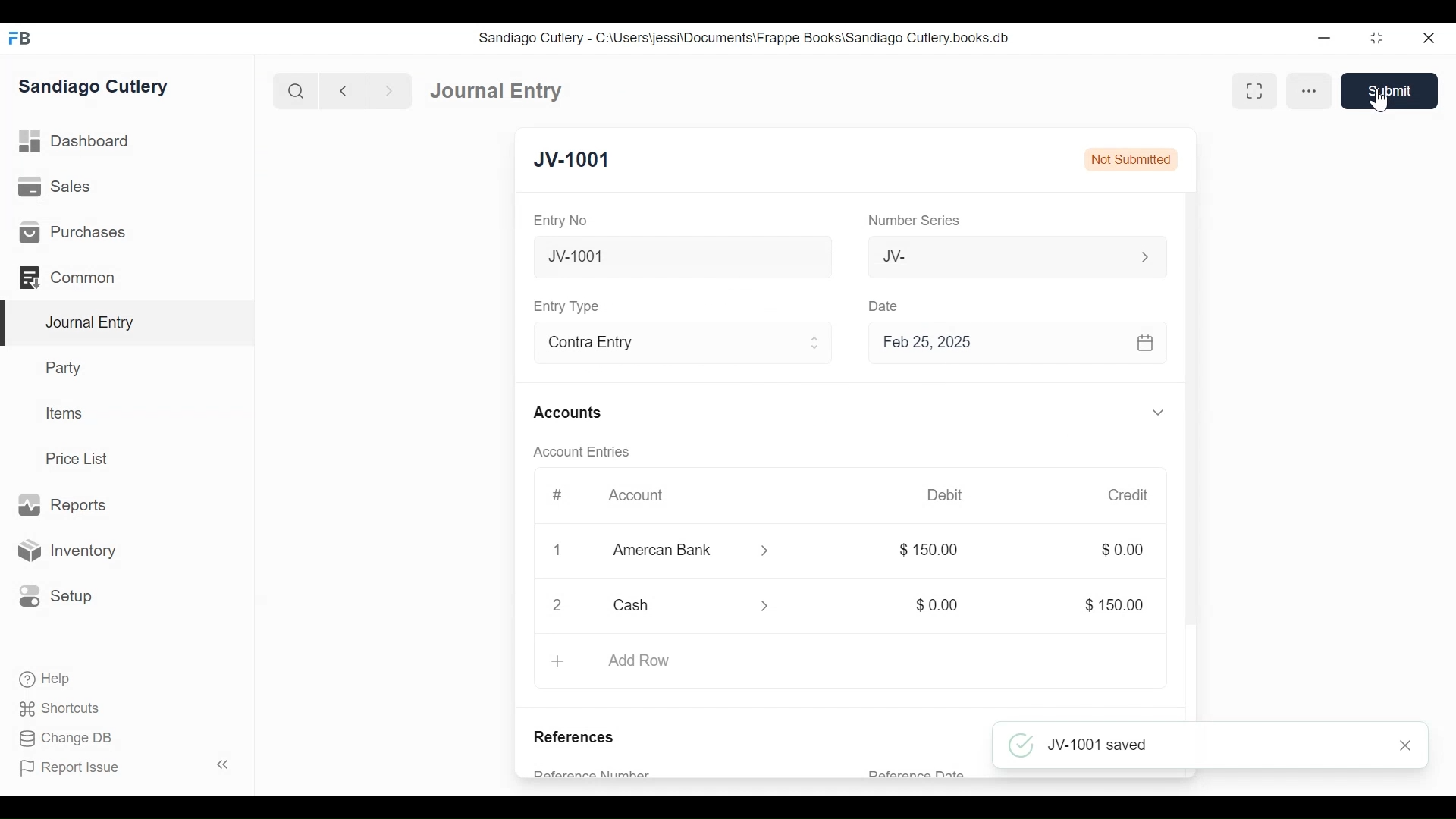  What do you see at coordinates (917, 221) in the screenshot?
I see `Number Series` at bounding box center [917, 221].